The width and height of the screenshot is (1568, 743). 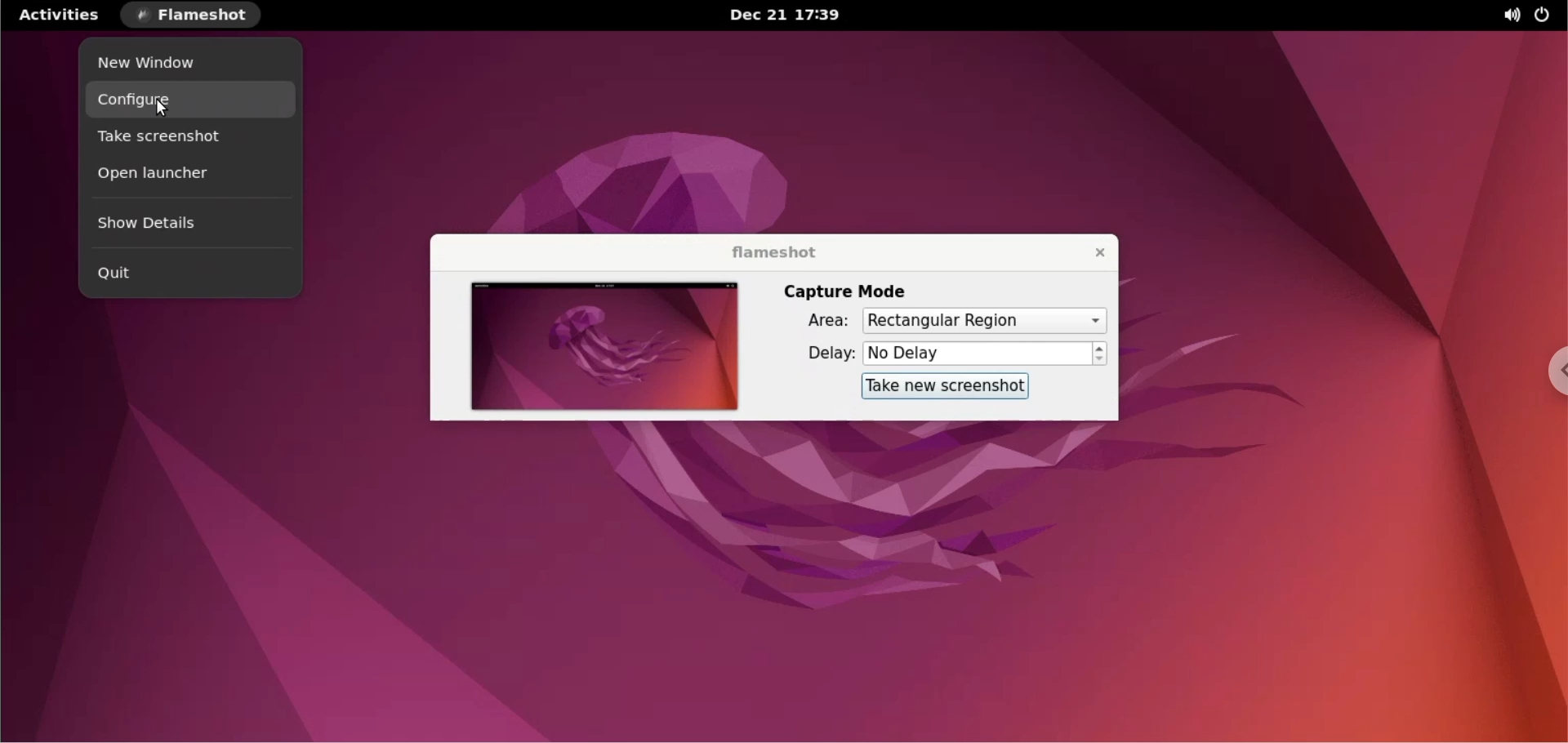 I want to click on capture mode, so click(x=844, y=291).